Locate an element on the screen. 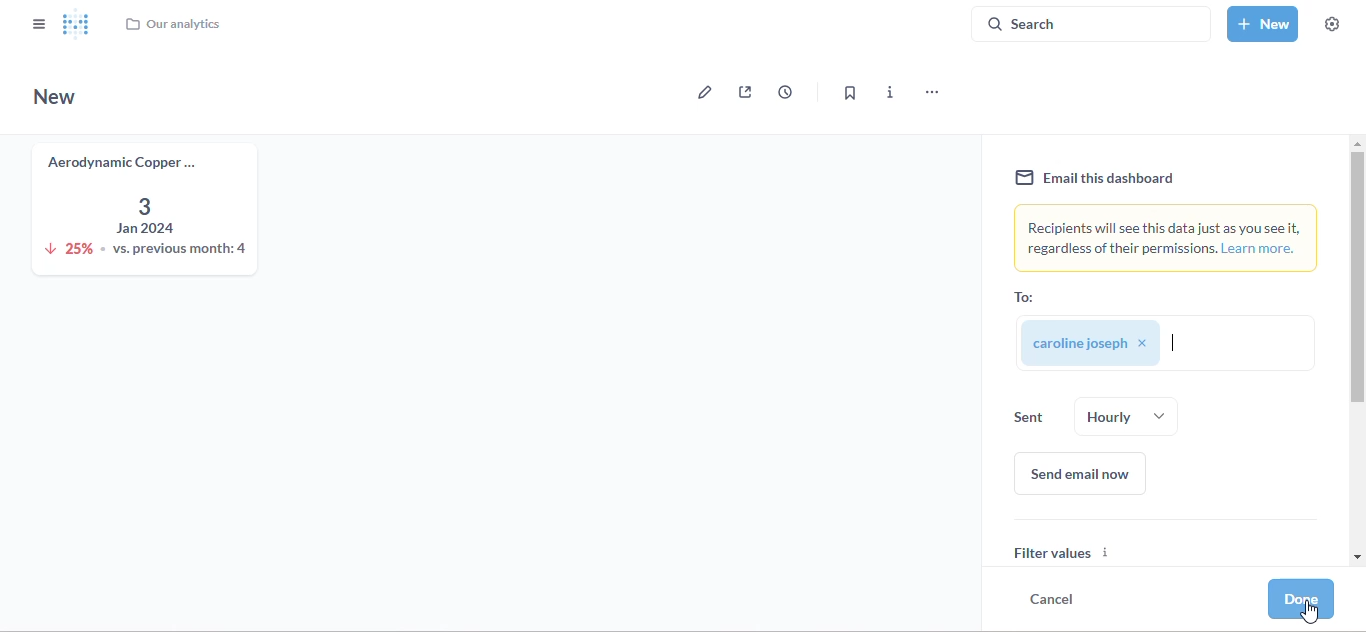 Image resolution: width=1366 pixels, height=632 pixels. edit dashboard is located at coordinates (700, 92).